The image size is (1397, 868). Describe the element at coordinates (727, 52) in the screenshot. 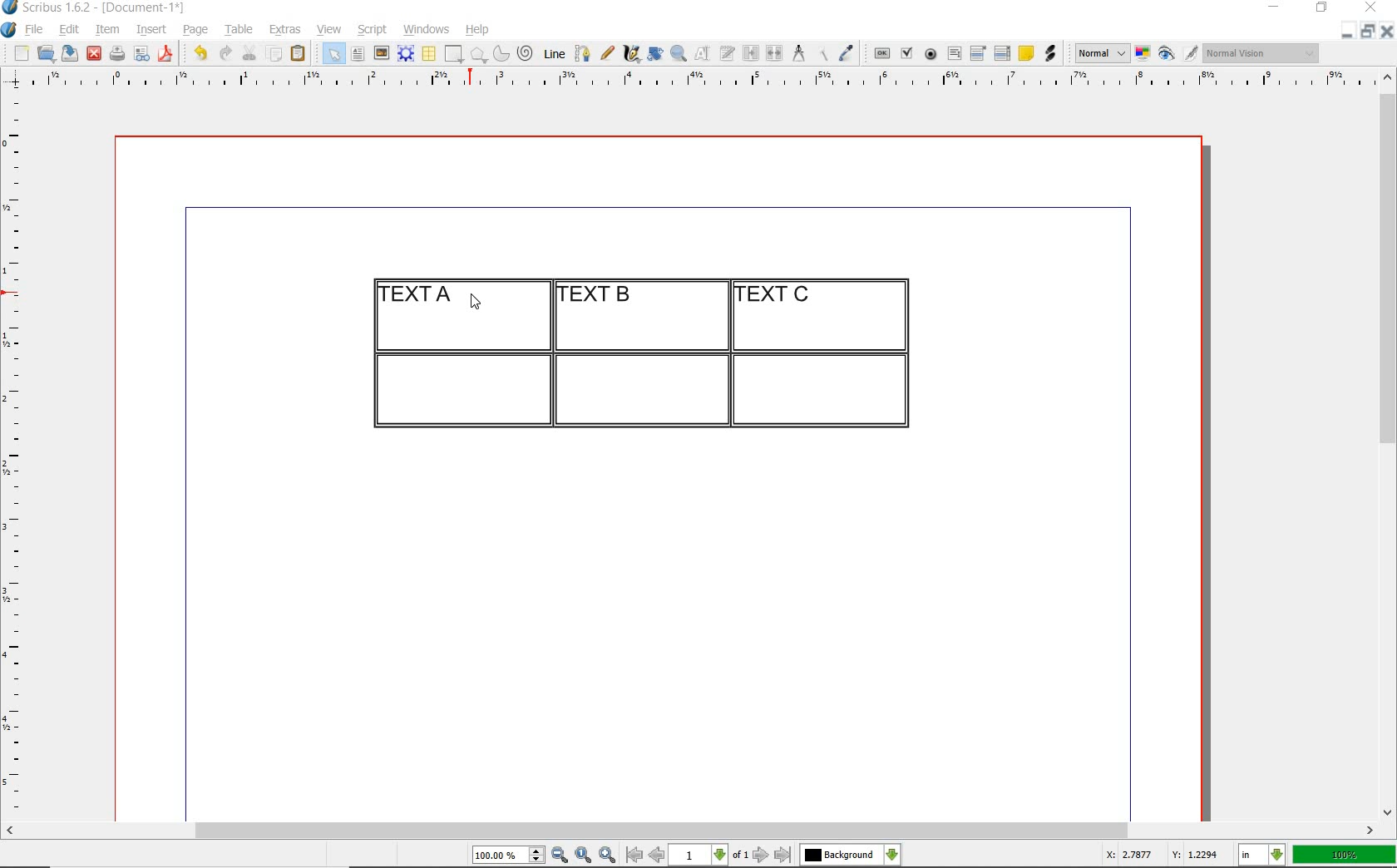

I see `edit text with story editor` at that location.